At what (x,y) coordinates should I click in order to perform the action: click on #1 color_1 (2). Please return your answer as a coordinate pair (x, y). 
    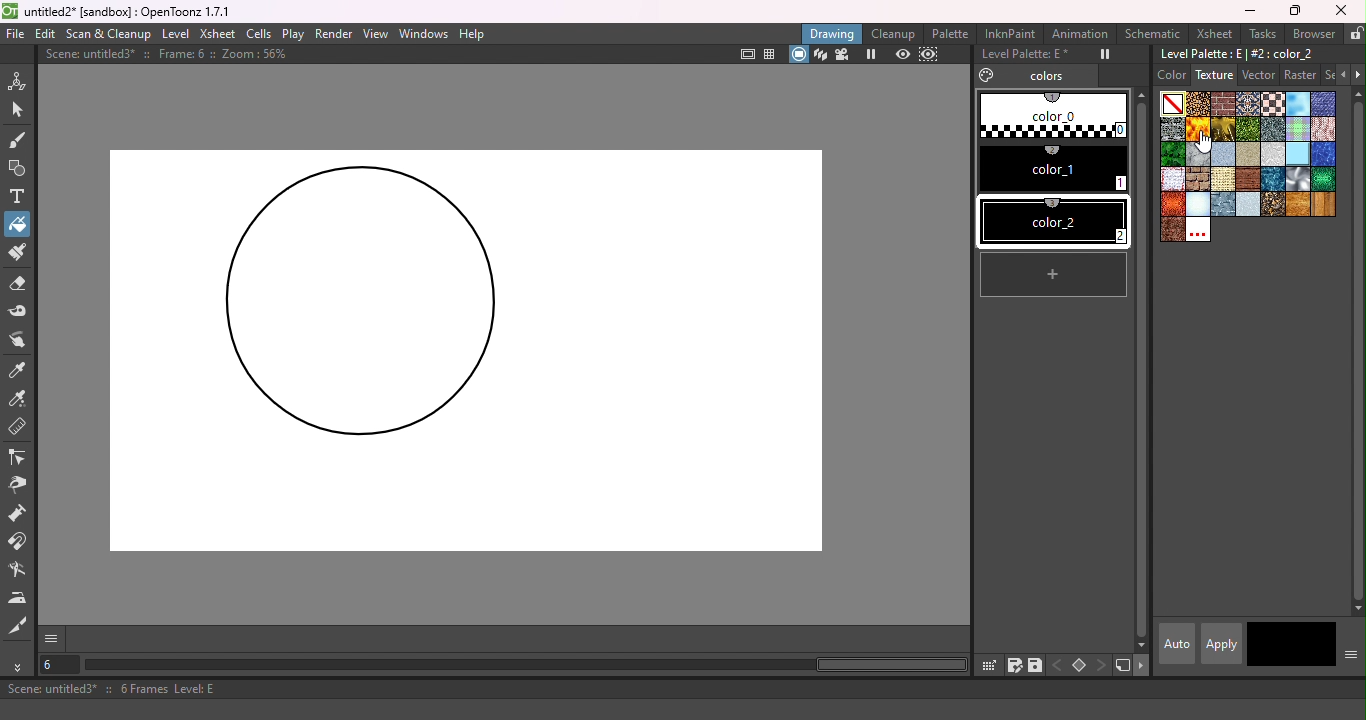
    Looking at the image, I should click on (1049, 170).